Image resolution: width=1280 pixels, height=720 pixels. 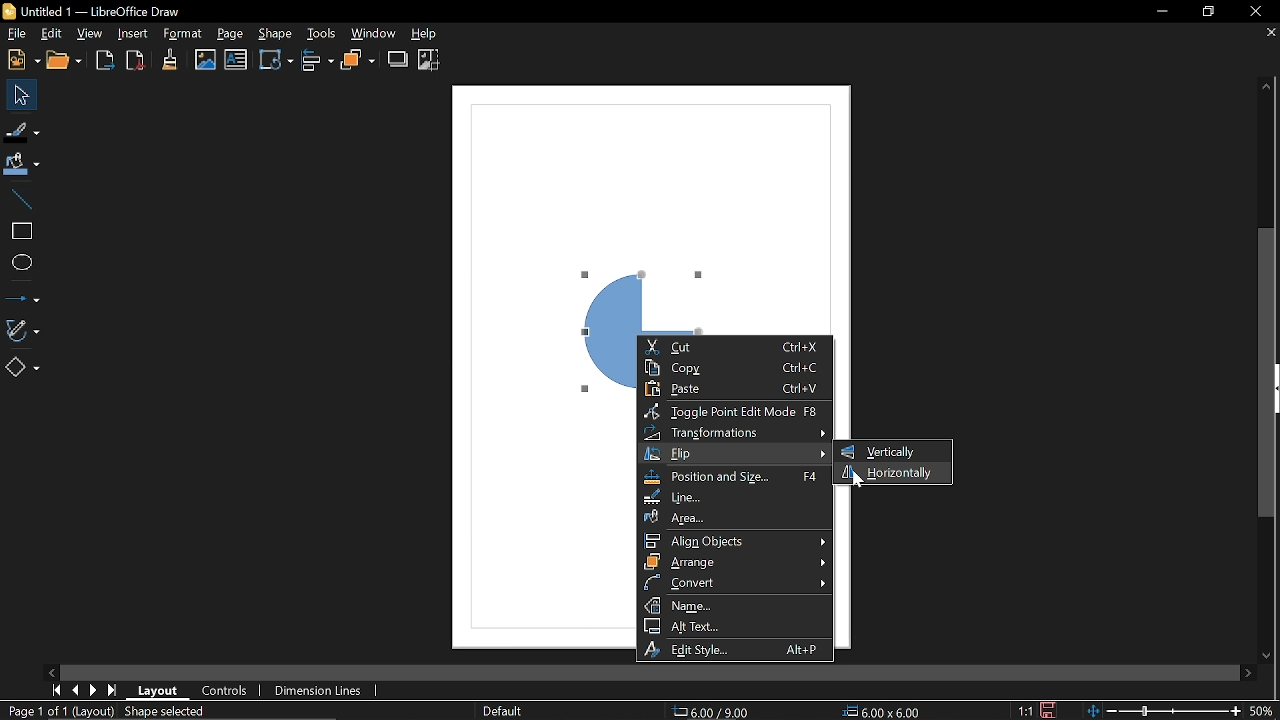 I want to click on Line, so click(x=734, y=498).